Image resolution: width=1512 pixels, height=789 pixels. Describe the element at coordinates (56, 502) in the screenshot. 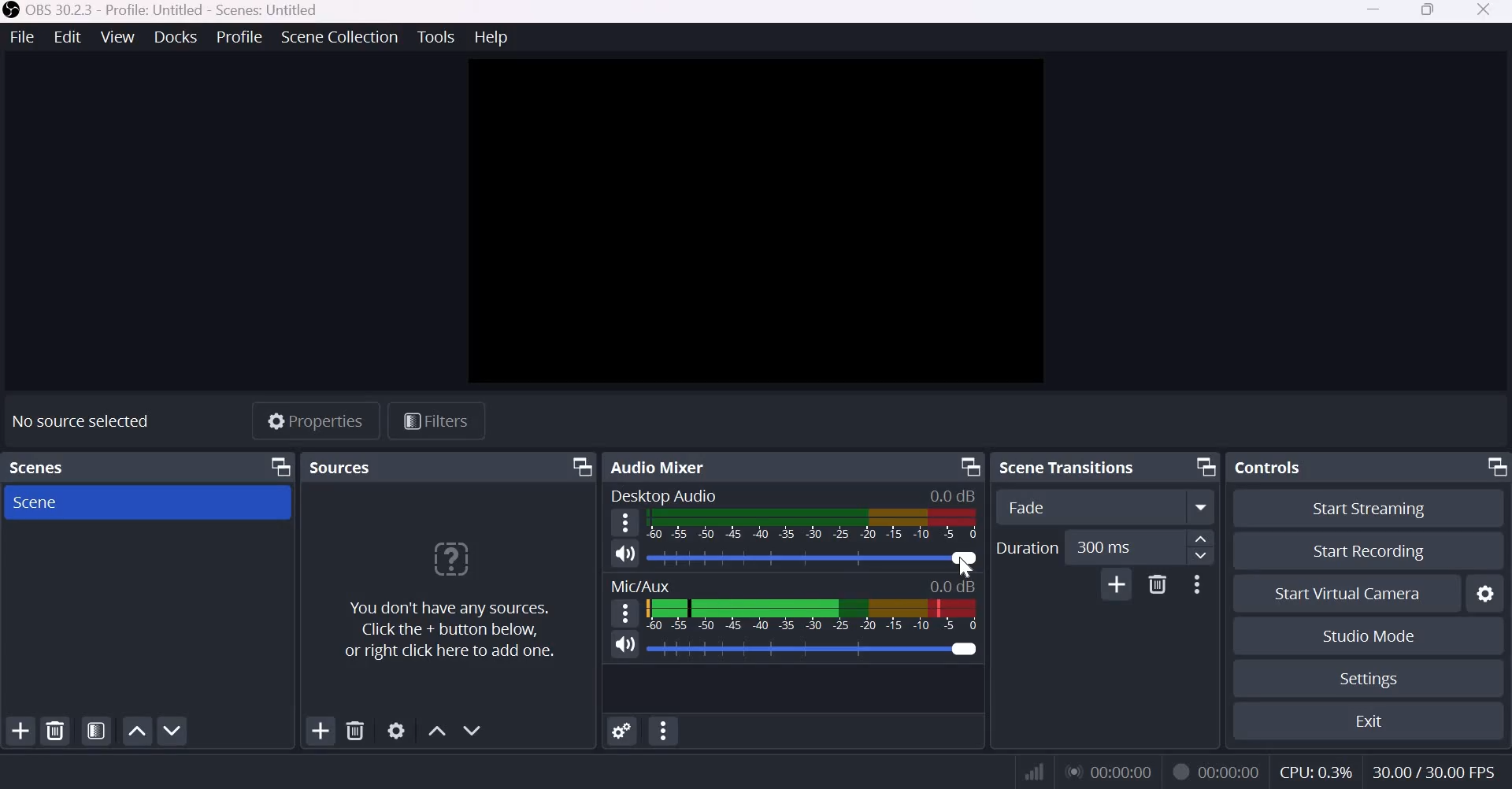

I see `Scene` at that location.